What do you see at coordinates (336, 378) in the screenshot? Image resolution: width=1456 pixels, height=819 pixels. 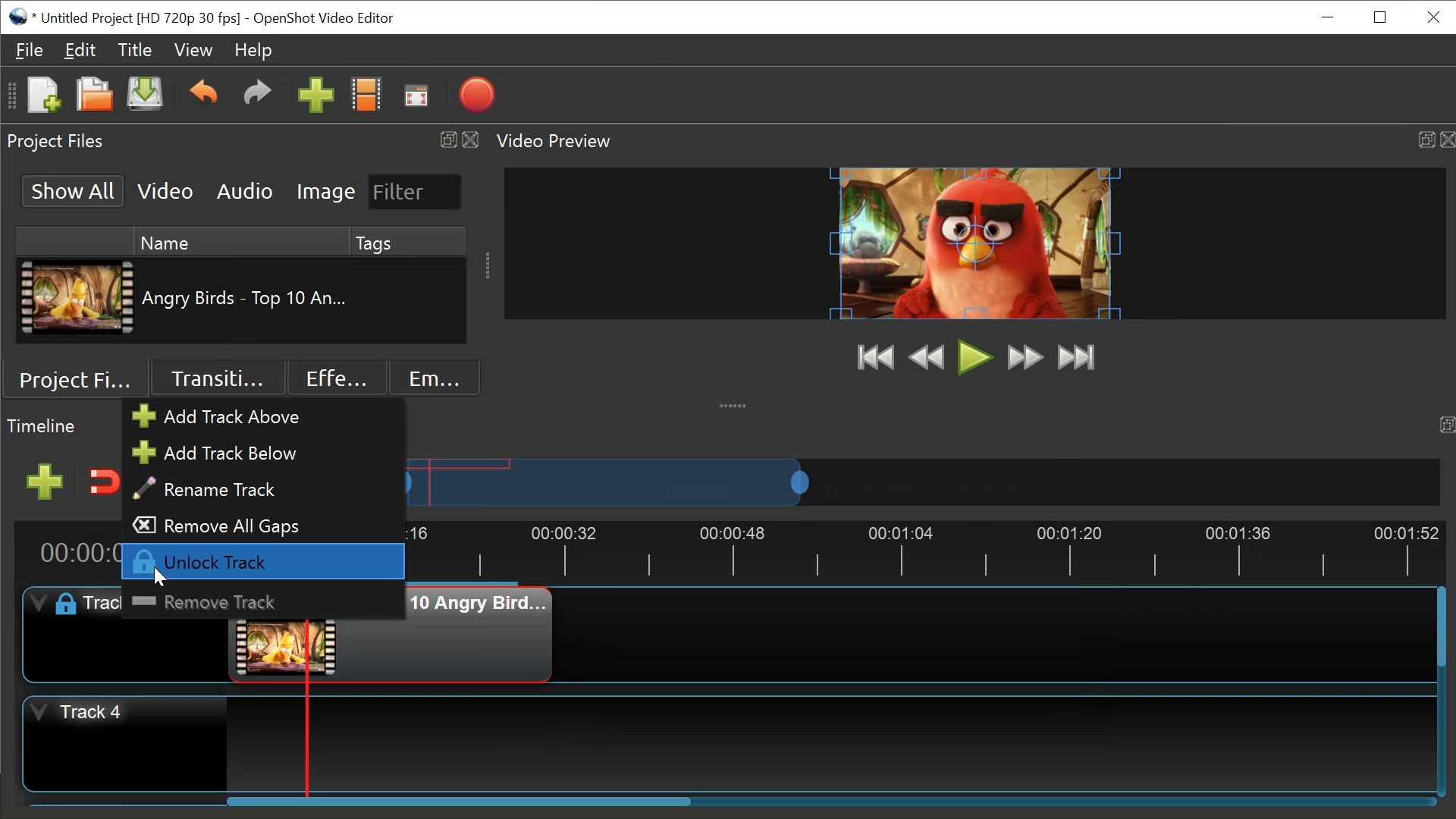 I see `Effects` at bounding box center [336, 378].